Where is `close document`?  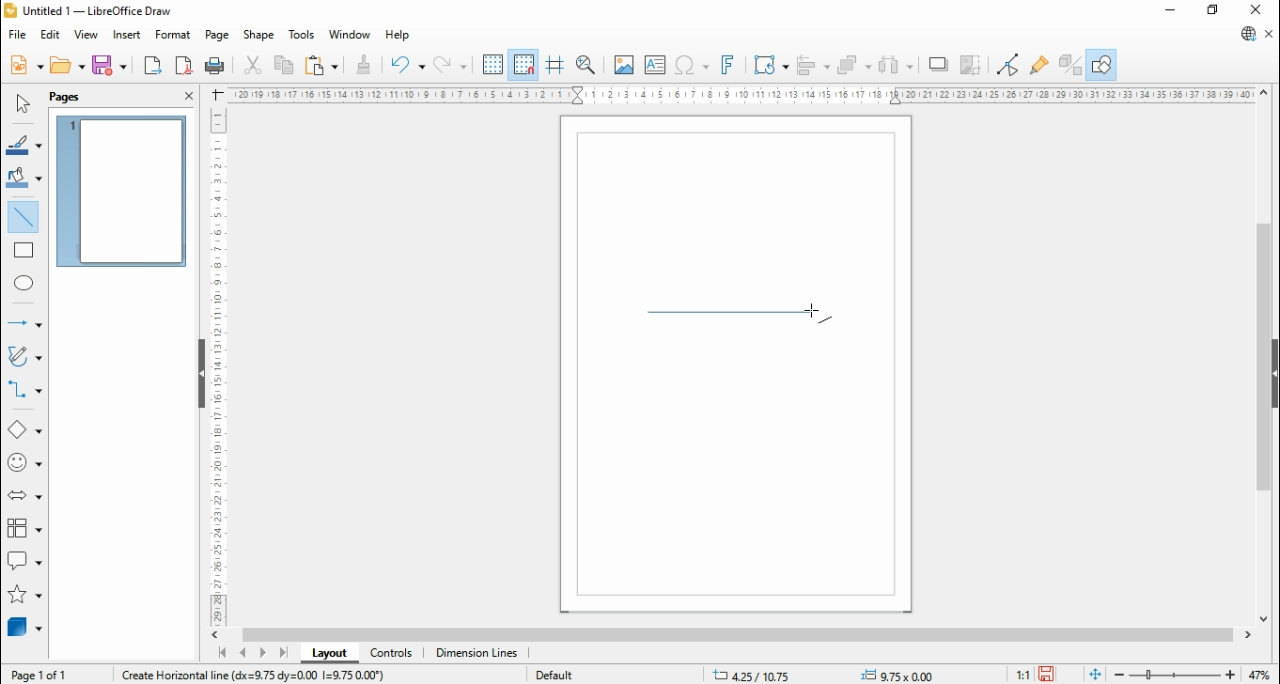
close document is located at coordinates (1270, 34).